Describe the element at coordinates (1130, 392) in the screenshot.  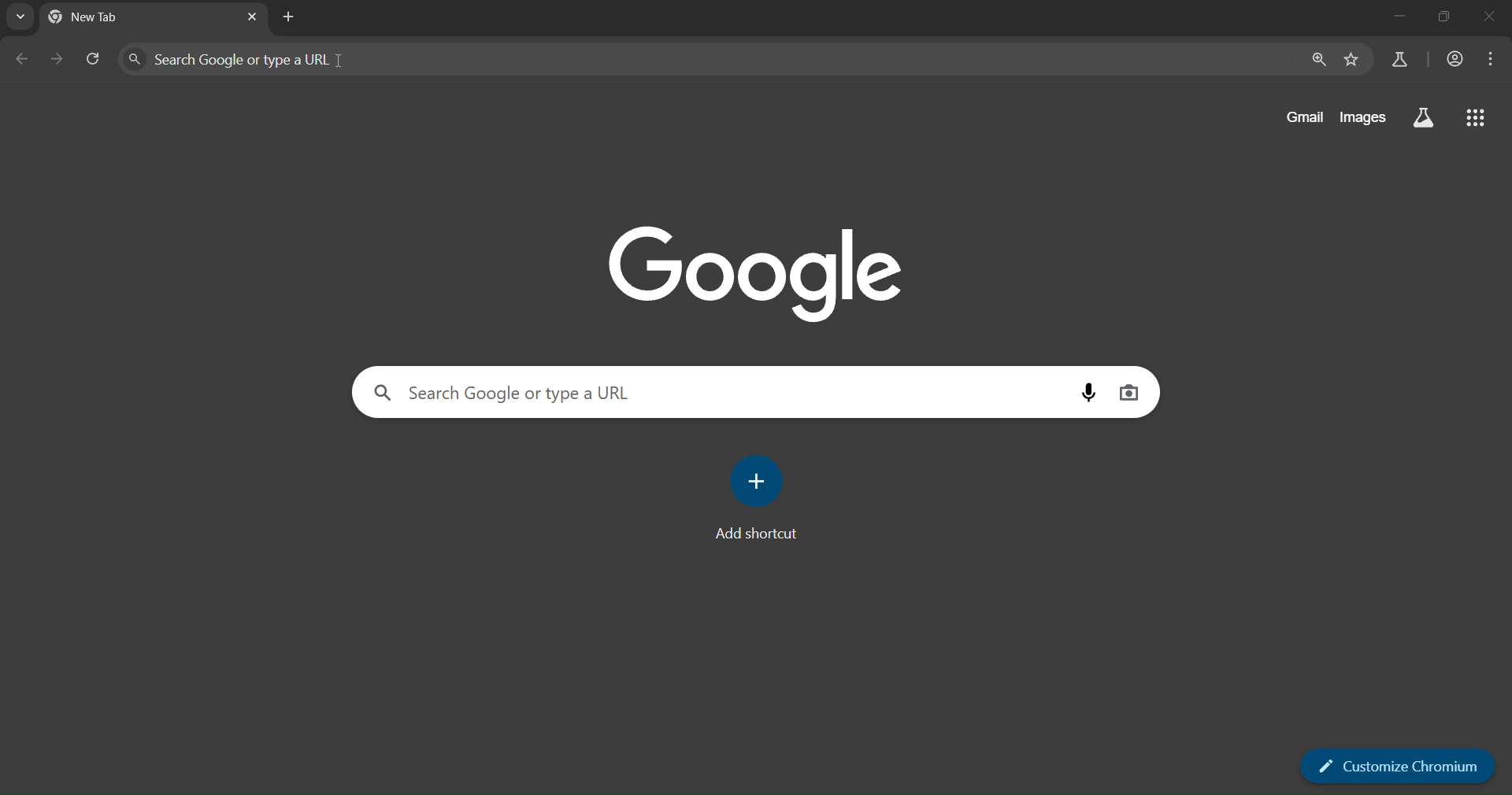
I see `image search` at that location.